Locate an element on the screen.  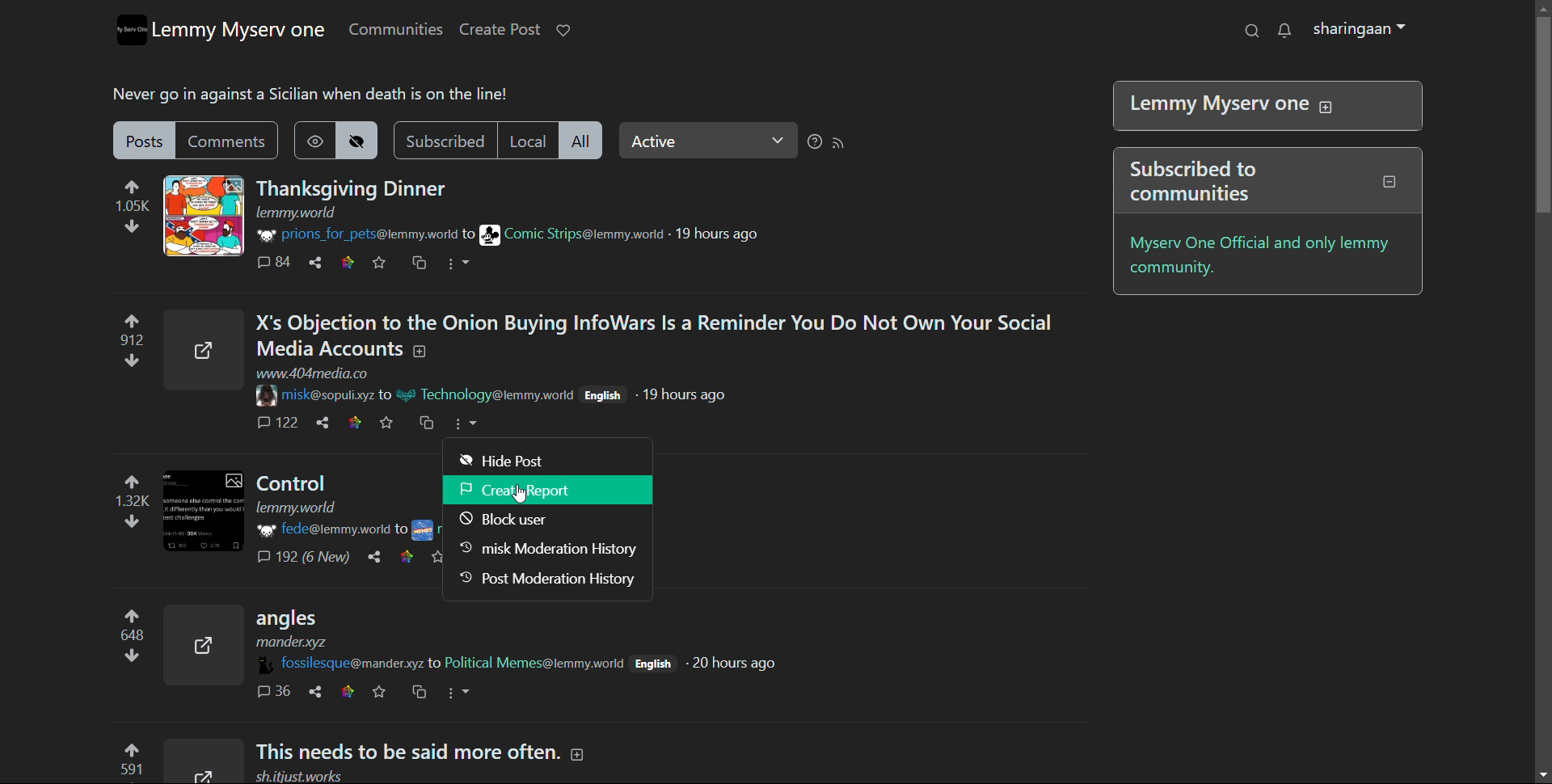
favorites is located at coordinates (440, 558).